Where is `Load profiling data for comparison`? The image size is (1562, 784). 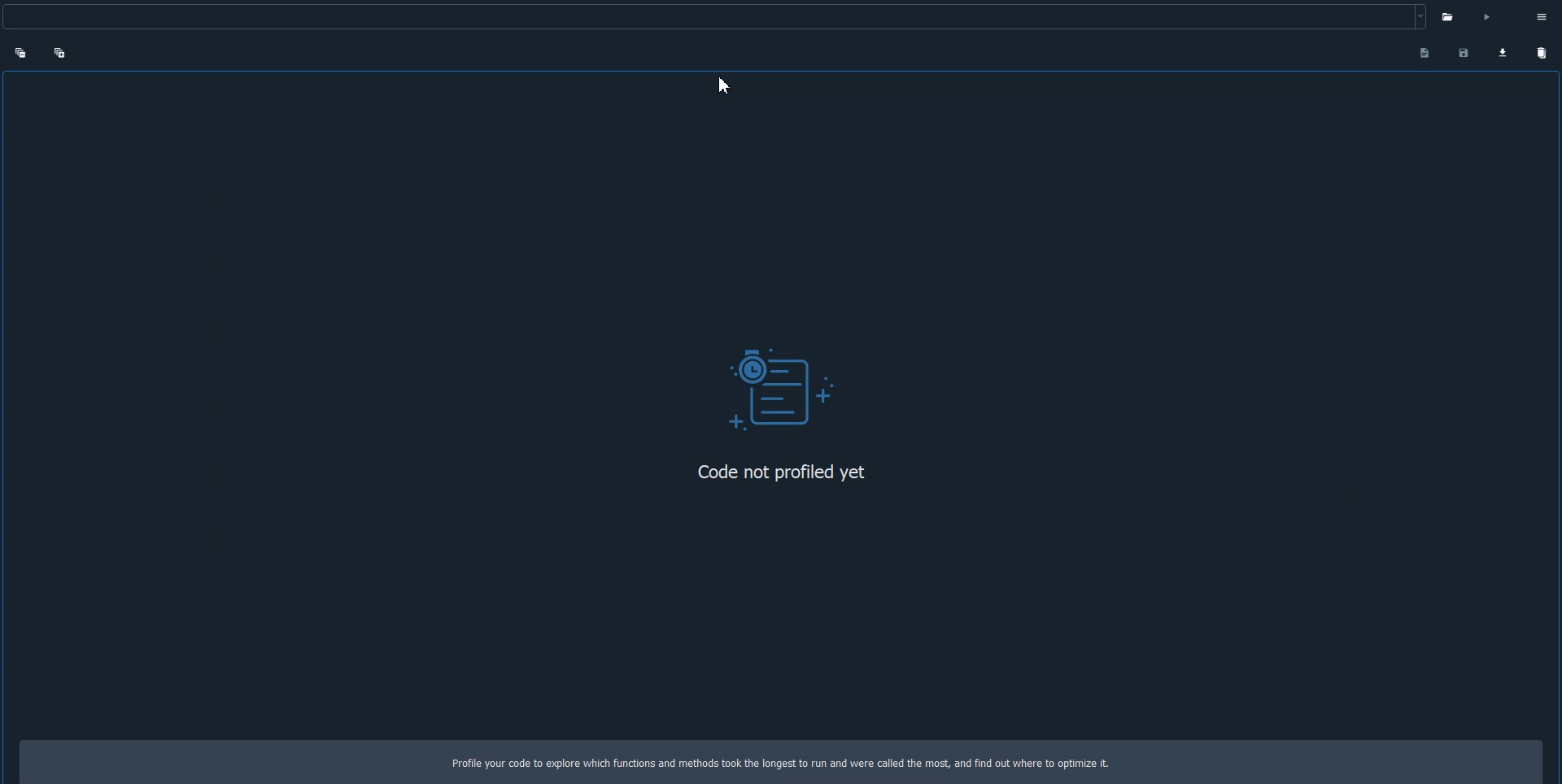
Load profiling data for comparison is located at coordinates (1502, 50).